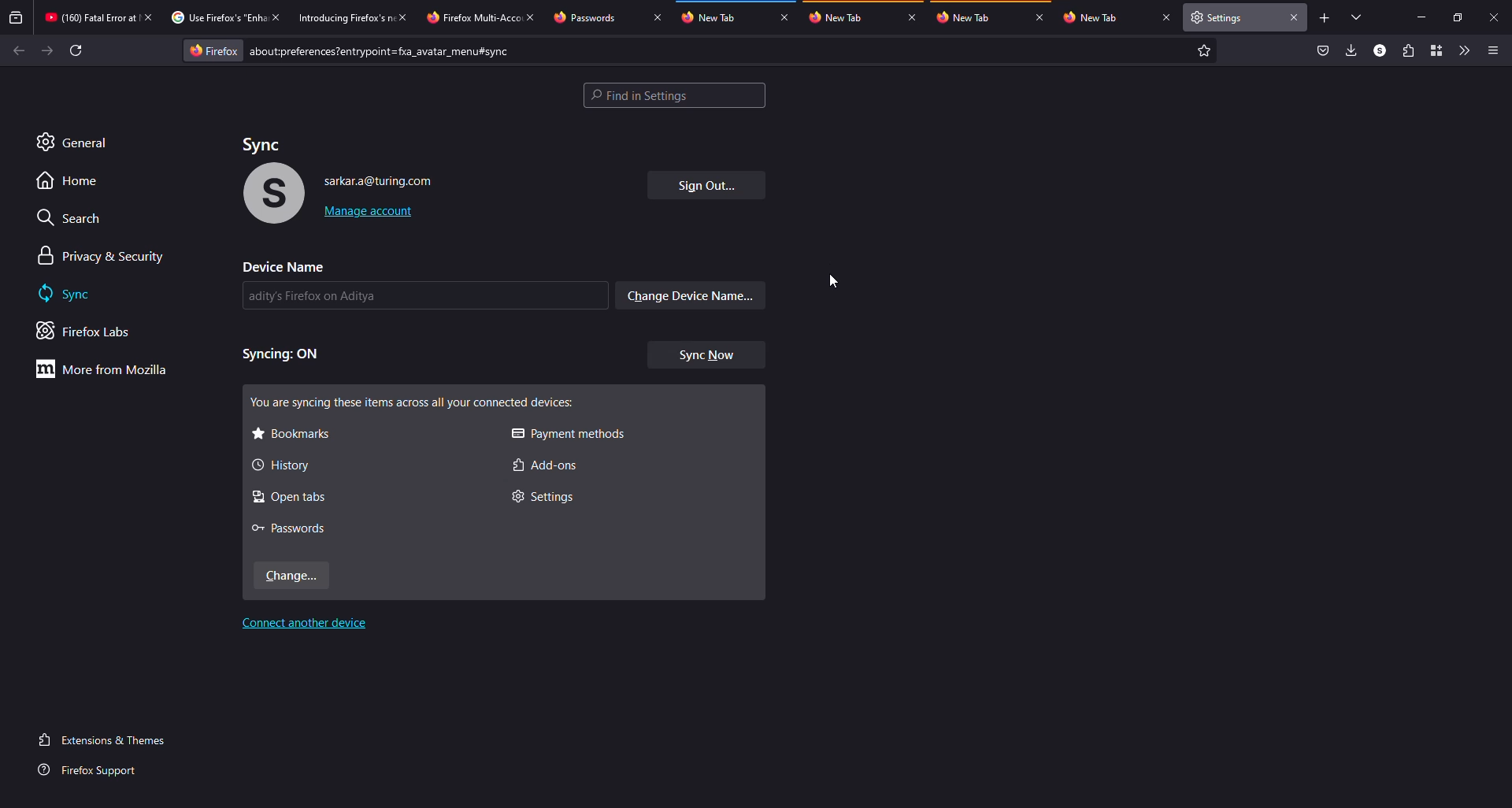 The width and height of the screenshot is (1512, 808). What do you see at coordinates (17, 17) in the screenshot?
I see `view recent` at bounding box center [17, 17].